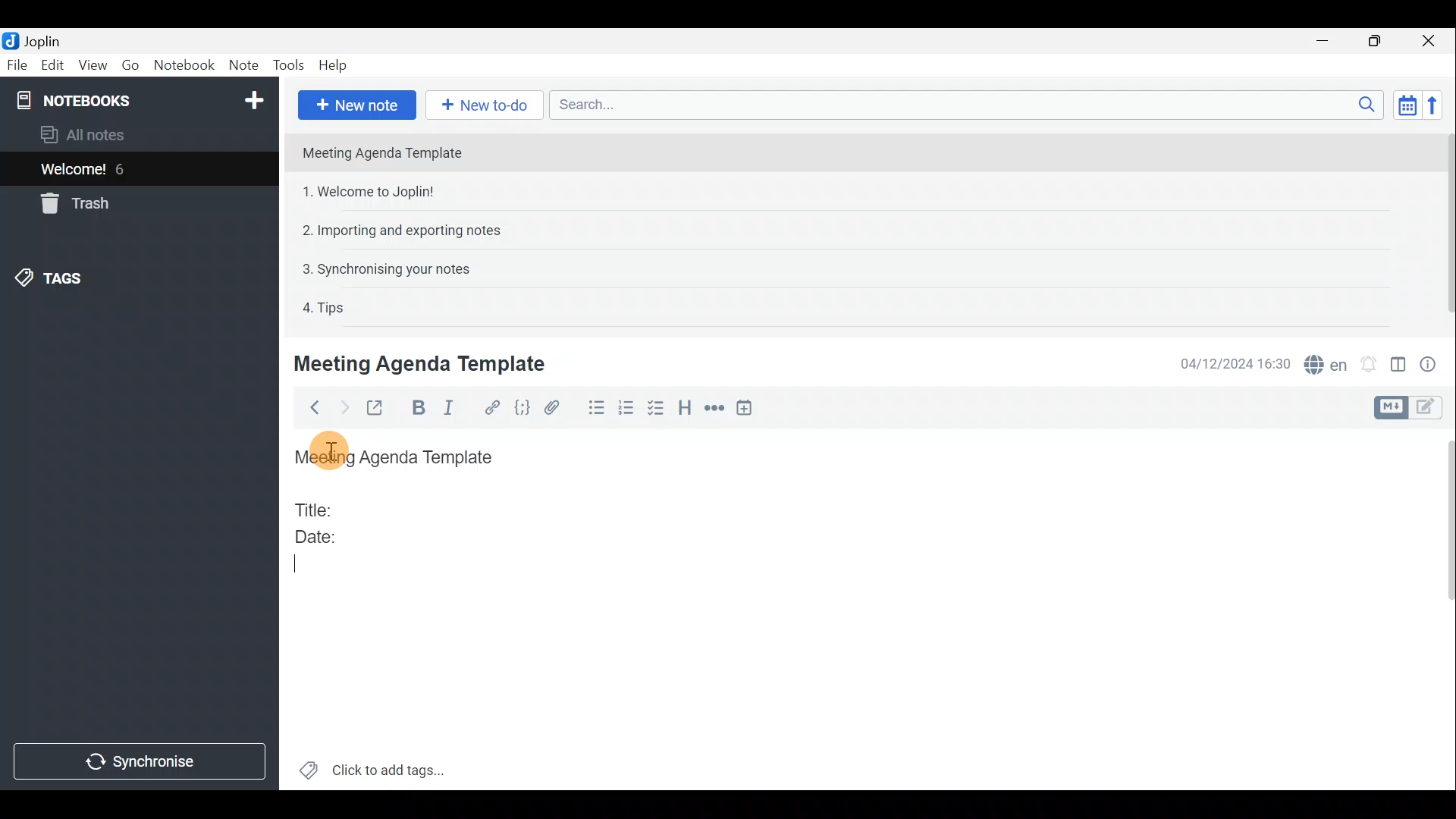 The image size is (1456, 819). Describe the element at coordinates (1389, 408) in the screenshot. I see `Toggle editors` at that location.